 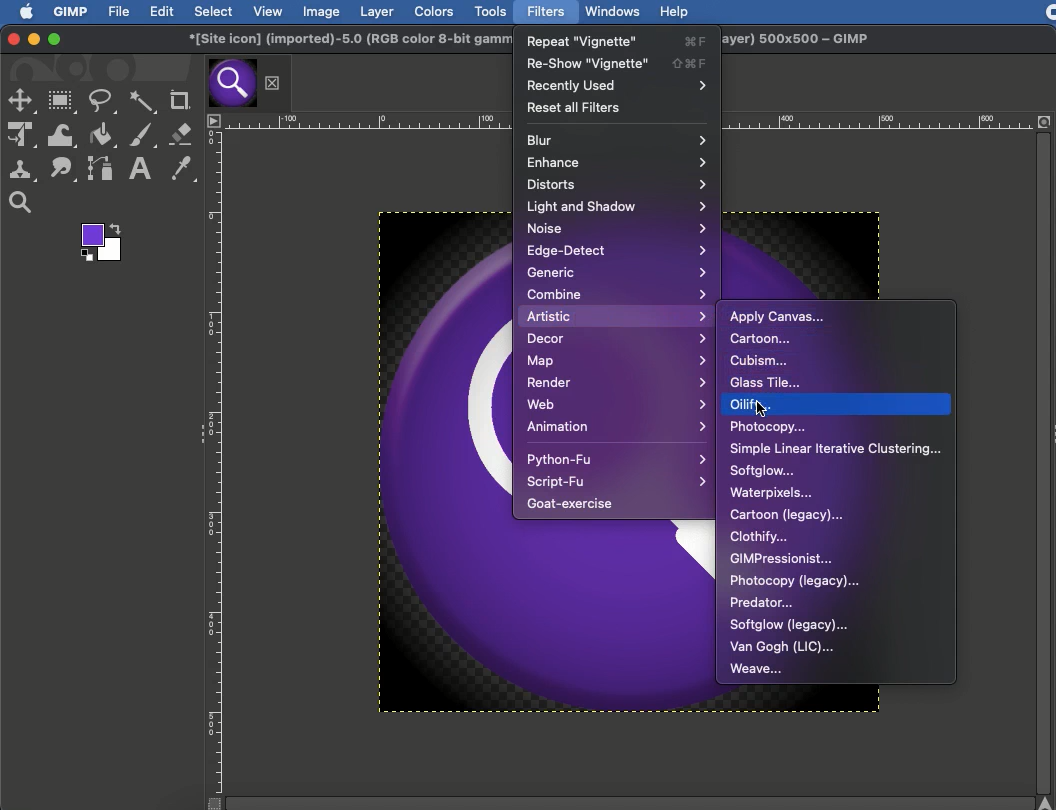 I want to click on GIMP pressionist, so click(x=784, y=558).